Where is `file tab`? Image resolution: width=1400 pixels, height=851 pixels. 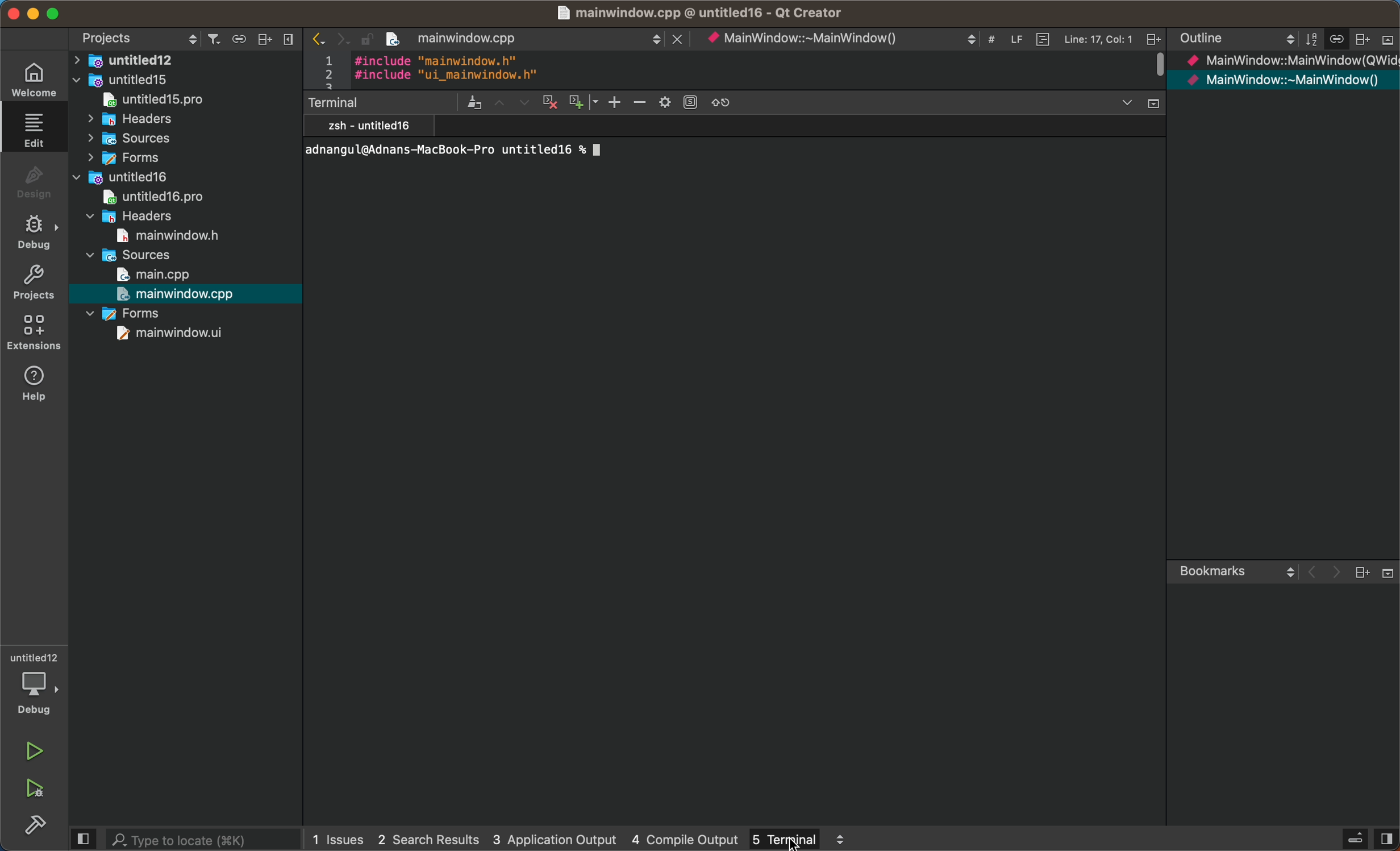 file tab is located at coordinates (542, 40).